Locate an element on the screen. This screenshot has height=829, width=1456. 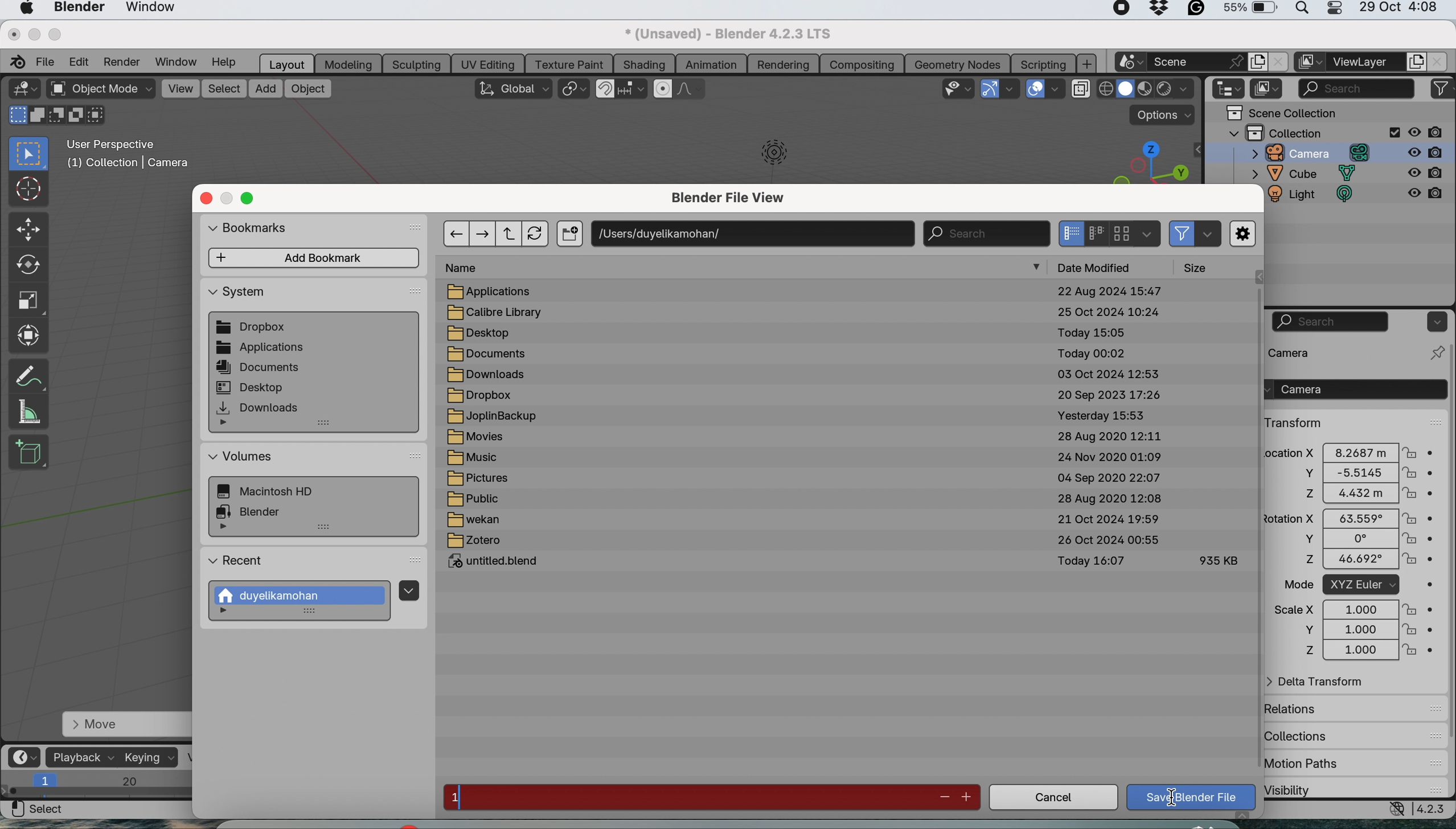
snap is located at coordinates (606, 89).